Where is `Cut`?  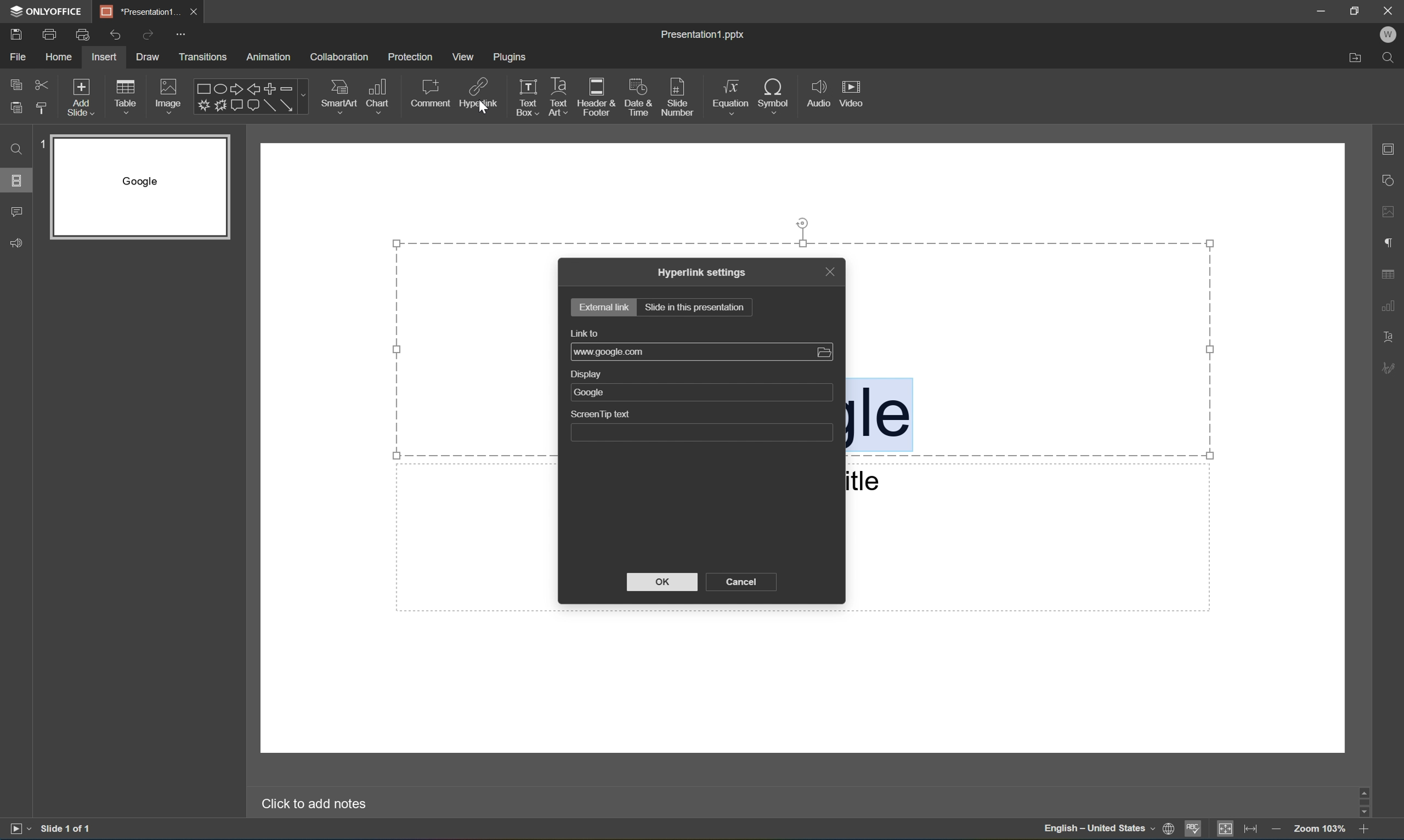 Cut is located at coordinates (45, 84).